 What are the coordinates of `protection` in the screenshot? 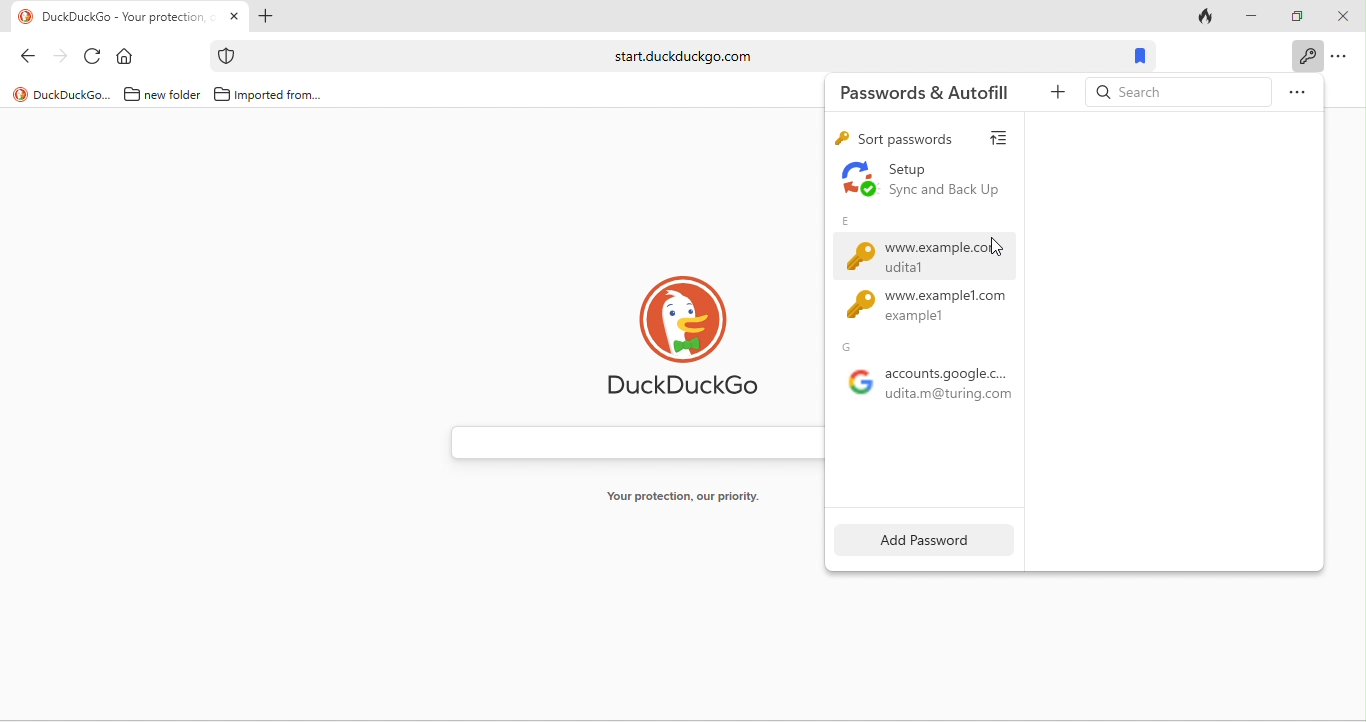 It's located at (225, 56).